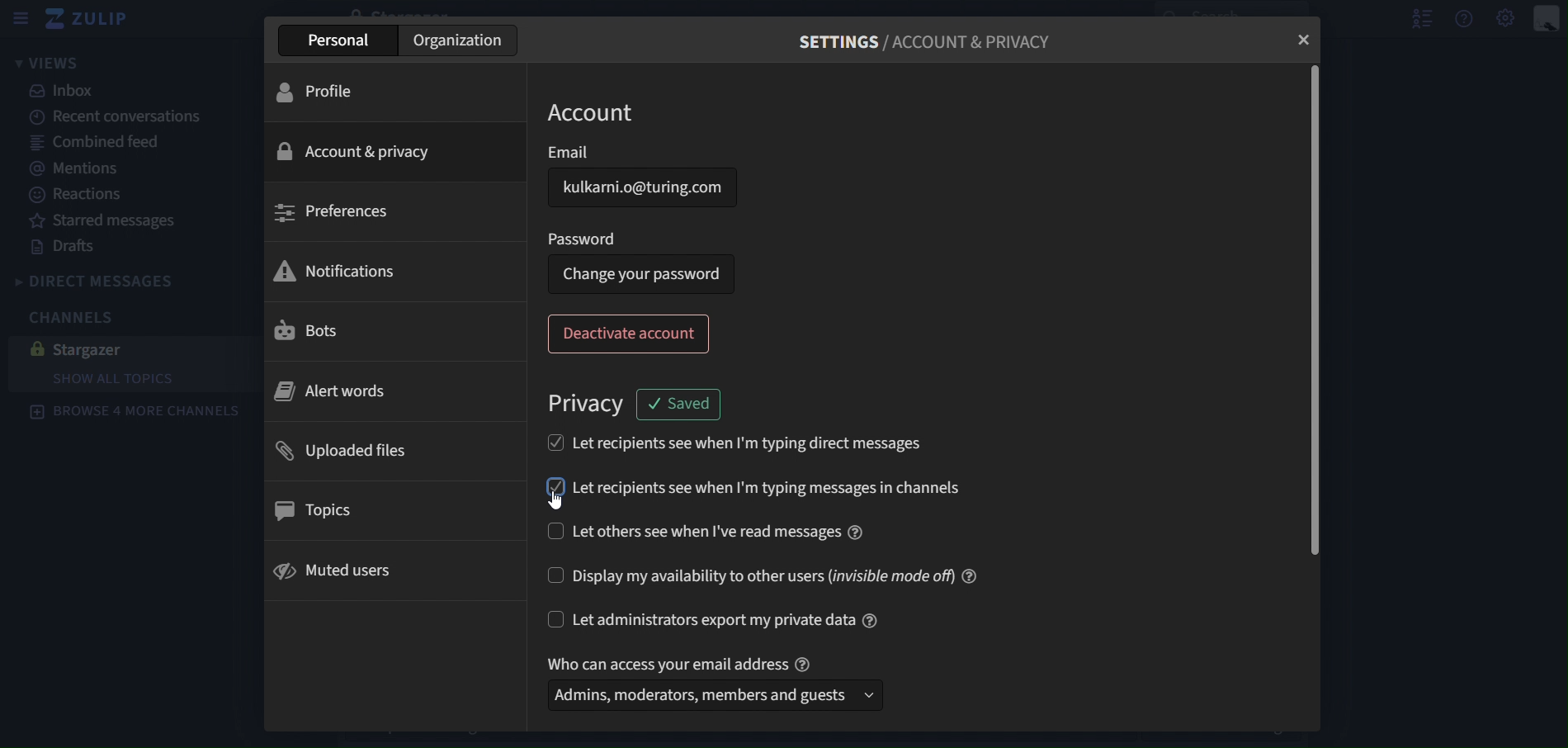  Describe the element at coordinates (319, 93) in the screenshot. I see `profile` at that location.